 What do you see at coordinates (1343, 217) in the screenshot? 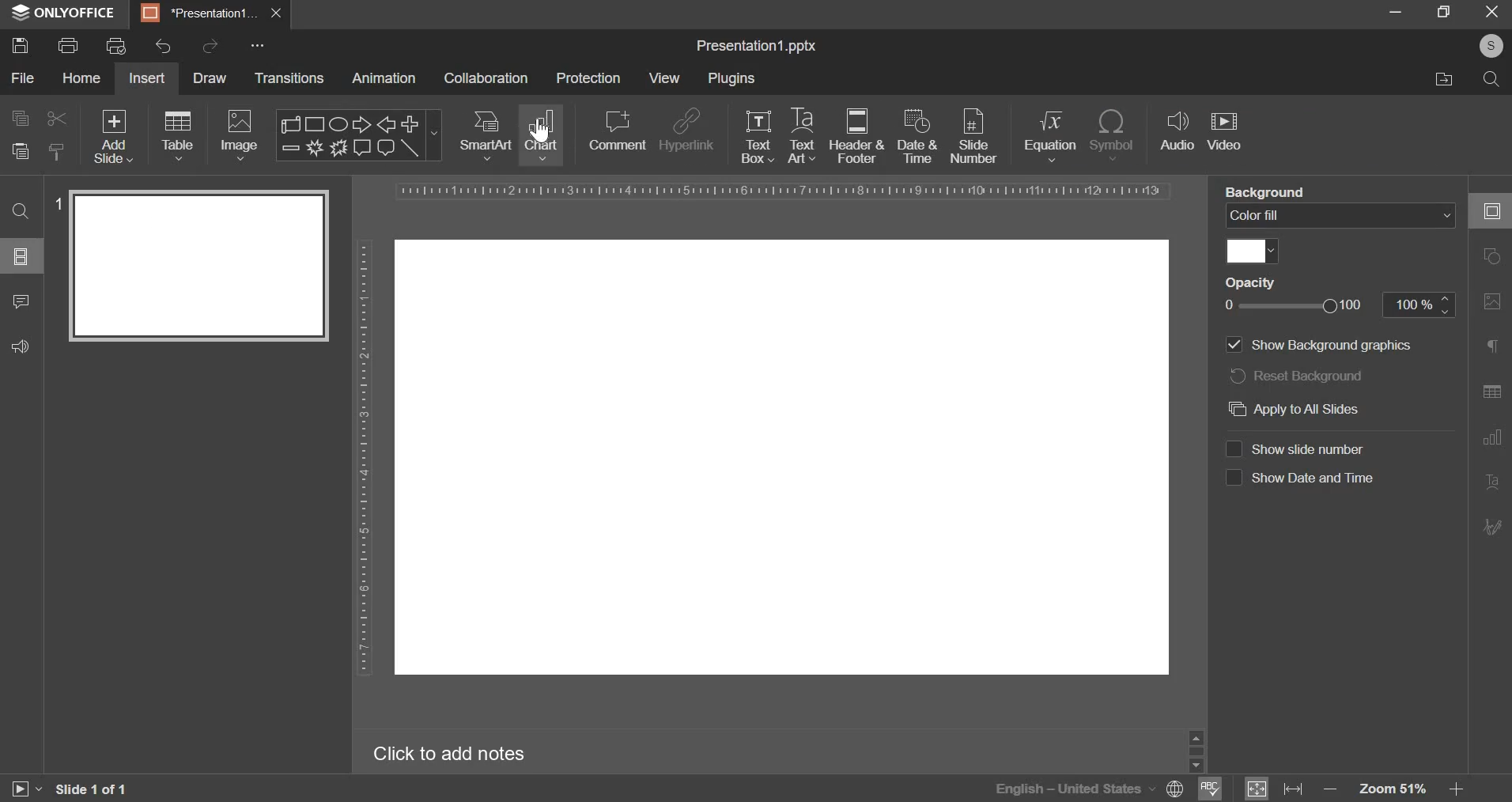
I see `background fill` at bounding box center [1343, 217].